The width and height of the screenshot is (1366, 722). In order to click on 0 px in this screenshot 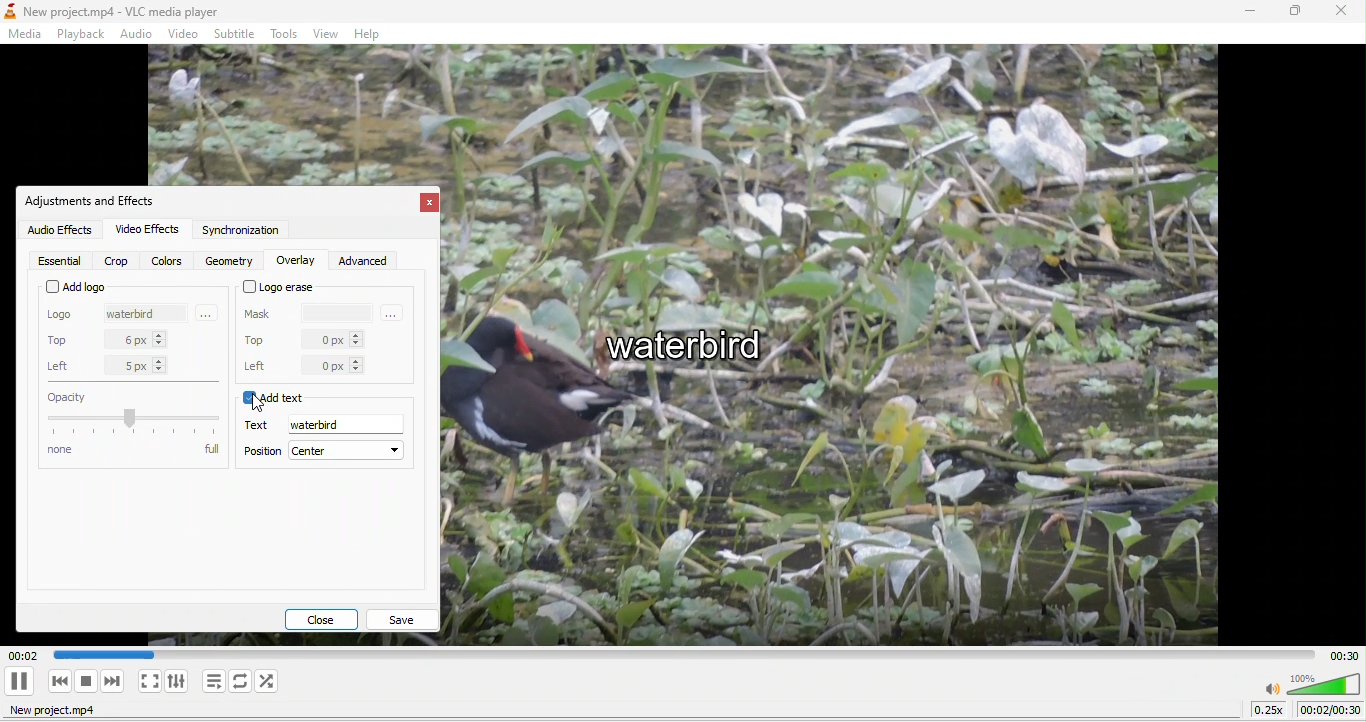, I will do `click(344, 365)`.